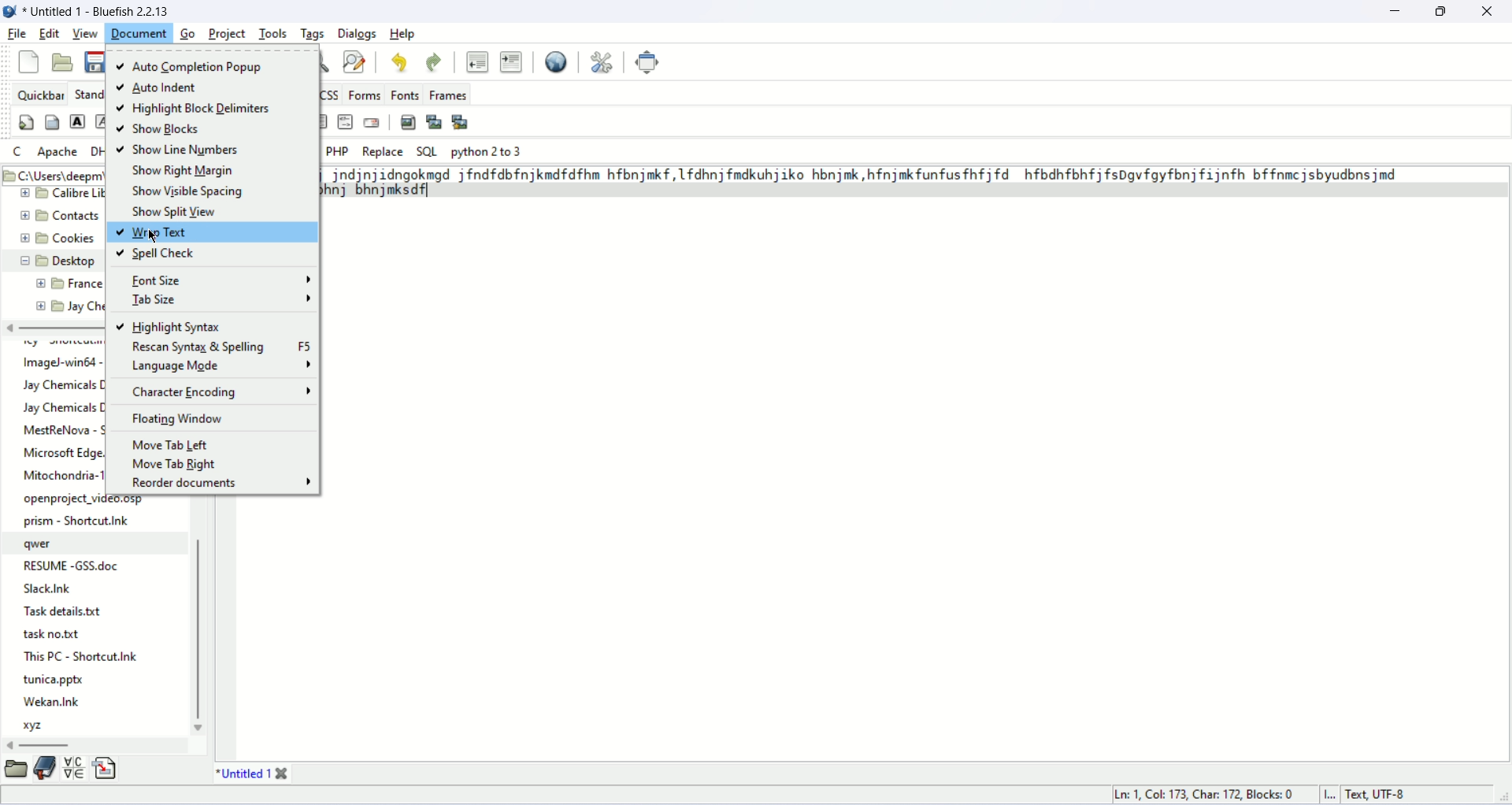 This screenshot has height=805, width=1512. I want to click on save, so click(95, 61).